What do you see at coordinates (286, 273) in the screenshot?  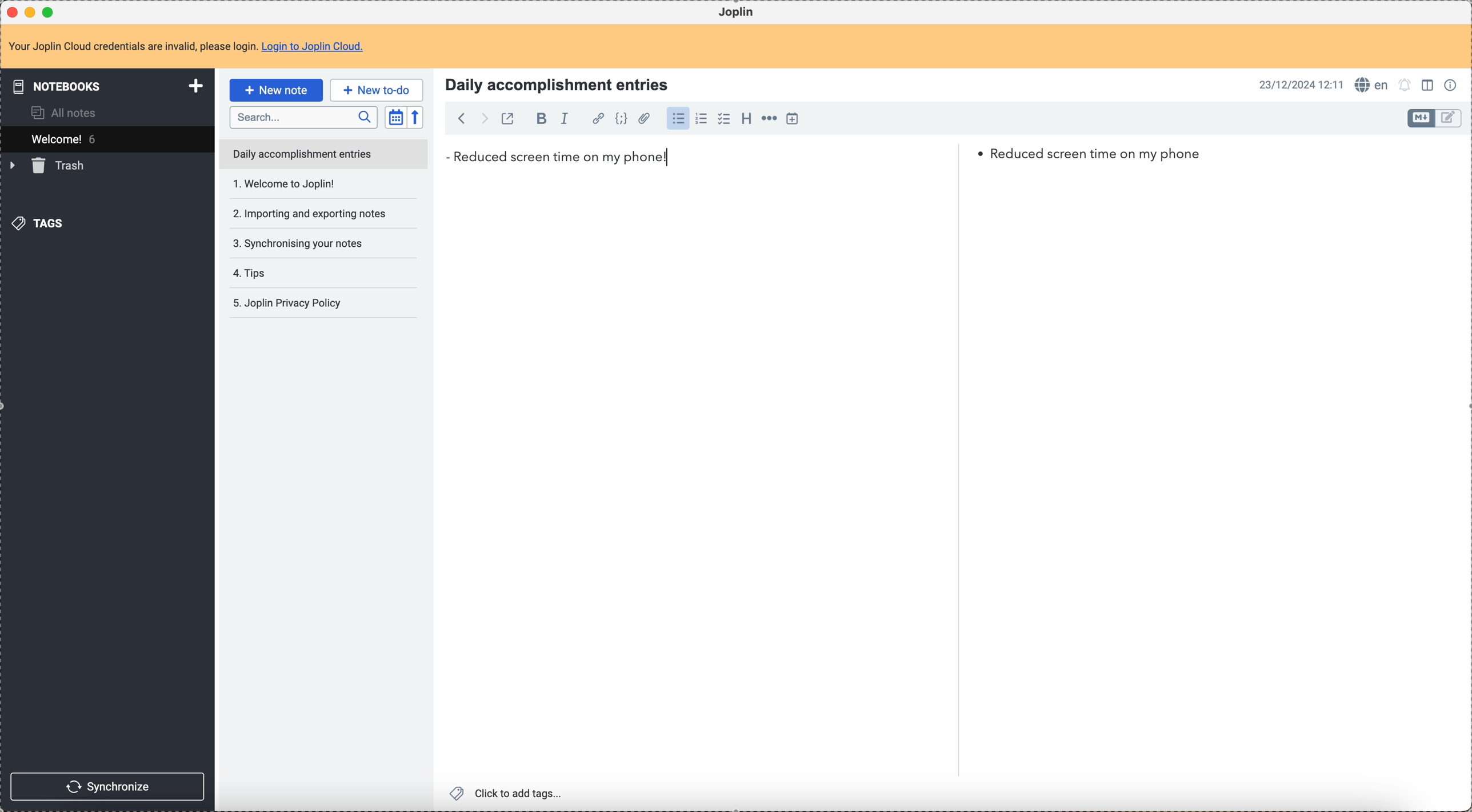 I see `Joplin privacy policy` at bounding box center [286, 273].